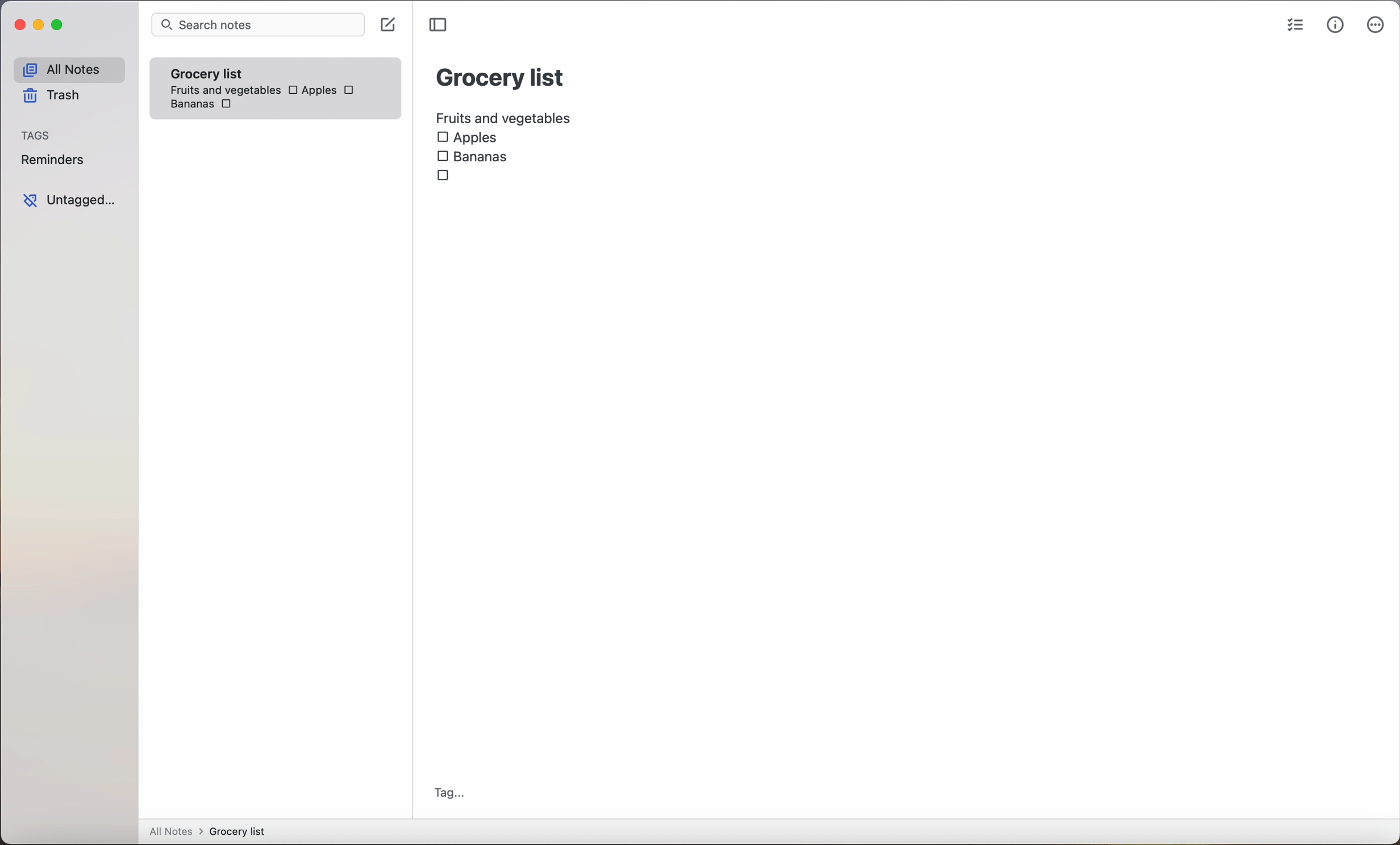 The width and height of the screenshot is (1400, 845). Describe the element at coordinates (60, 26) in the screenshot. I see `maximize Simplenote` at that location.